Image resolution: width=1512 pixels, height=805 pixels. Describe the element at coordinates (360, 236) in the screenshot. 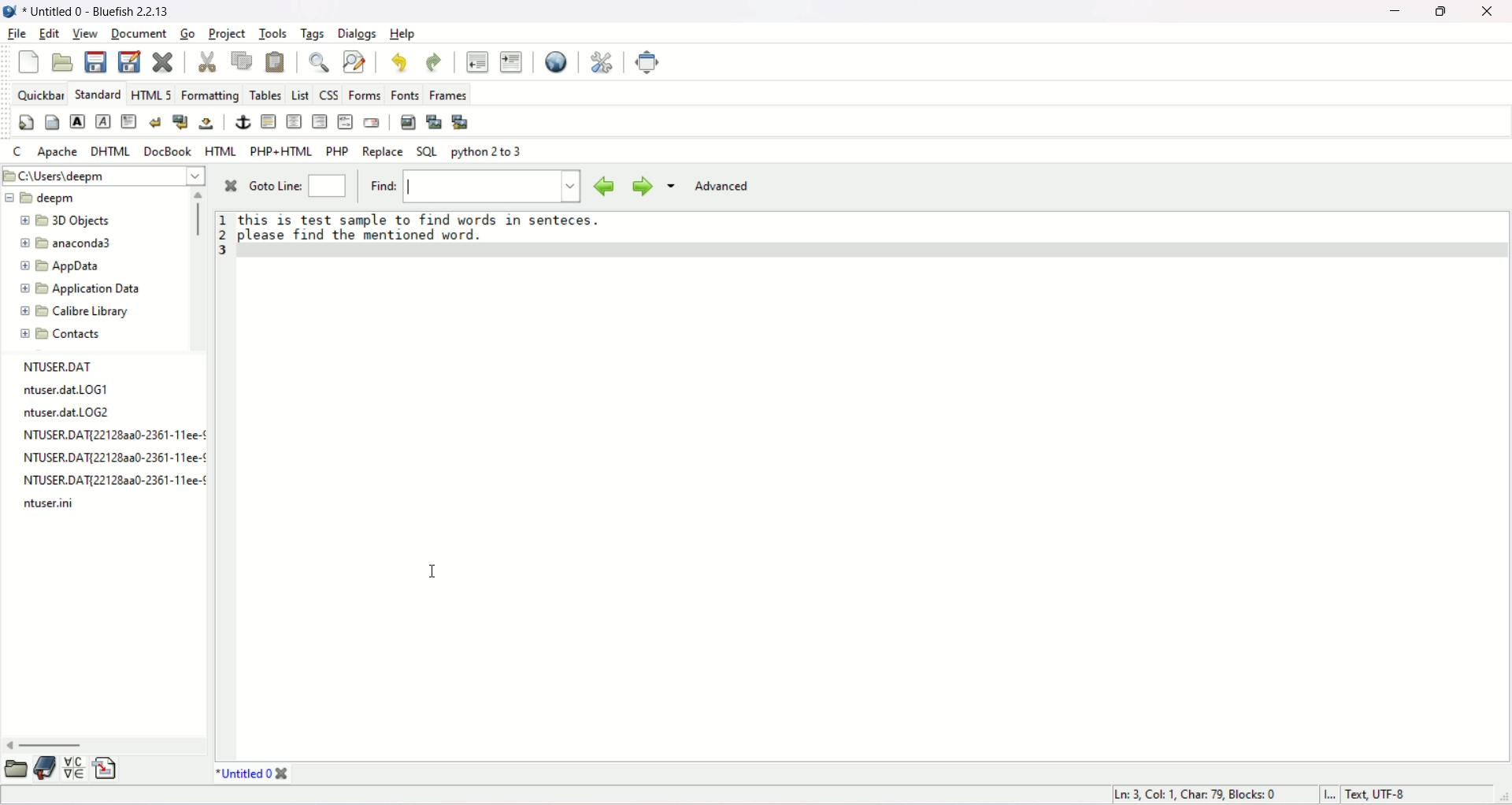

I see `please find the mentioned word` at that location.